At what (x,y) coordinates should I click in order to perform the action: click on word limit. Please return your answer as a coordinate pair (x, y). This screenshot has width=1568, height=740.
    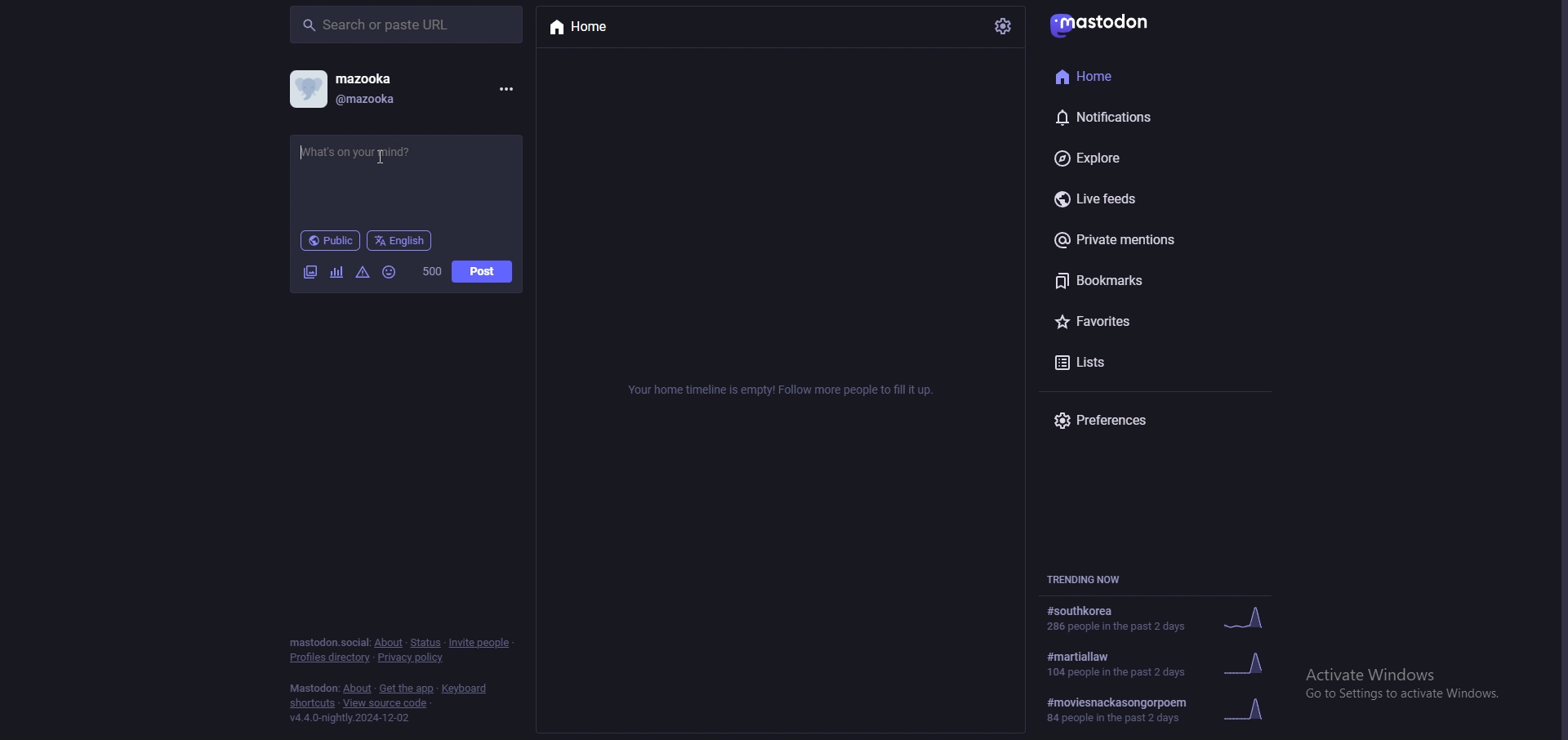
    Looking at the image, I should click on (431, 271).